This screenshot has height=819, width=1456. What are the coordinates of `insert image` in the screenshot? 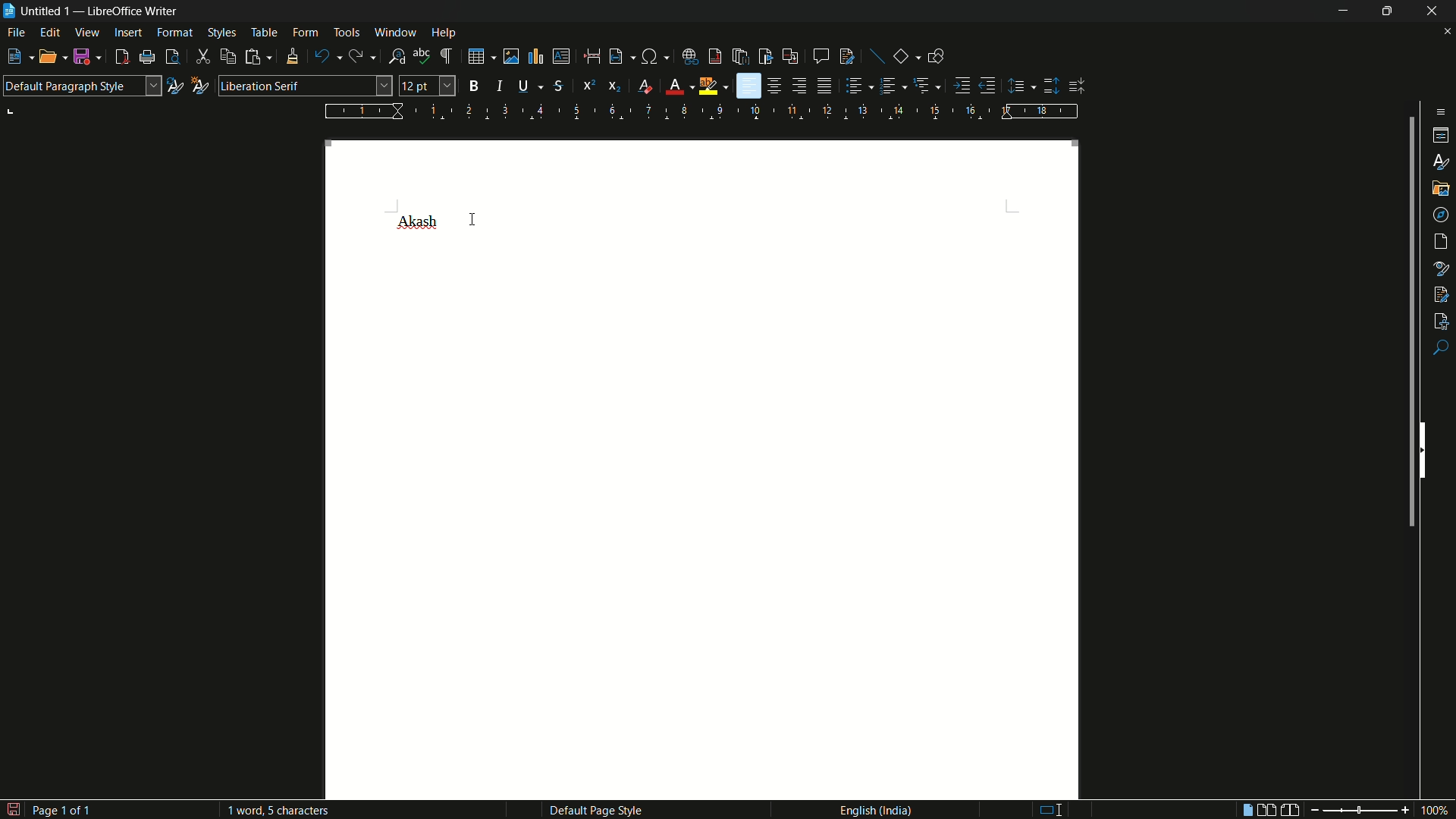 It's located at (511, 57).